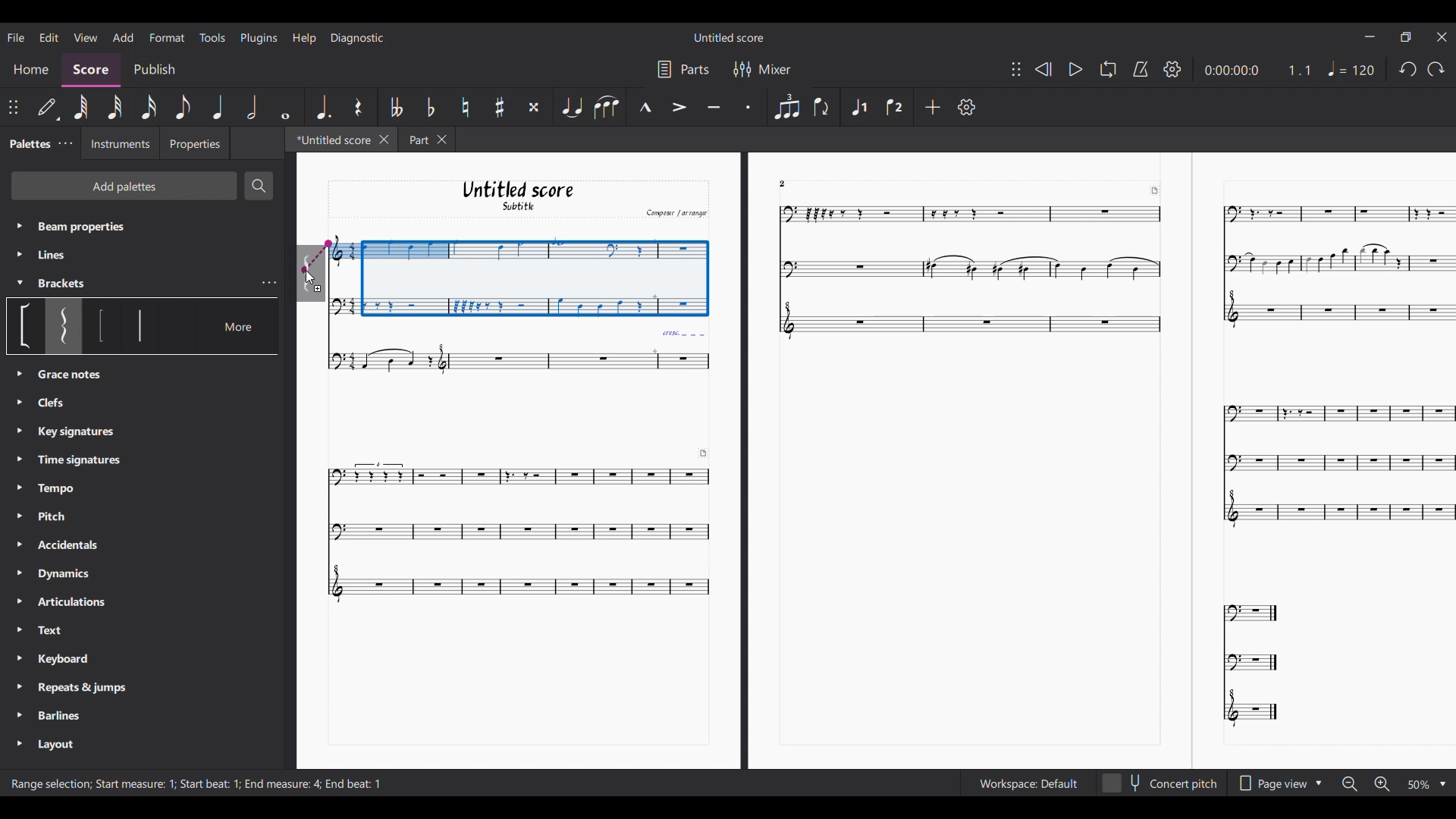 This screenshot has height=819, width=1456. Describe the element at coordinates (729, 37) in the screenshot. I see `Untitled Score` at that location.